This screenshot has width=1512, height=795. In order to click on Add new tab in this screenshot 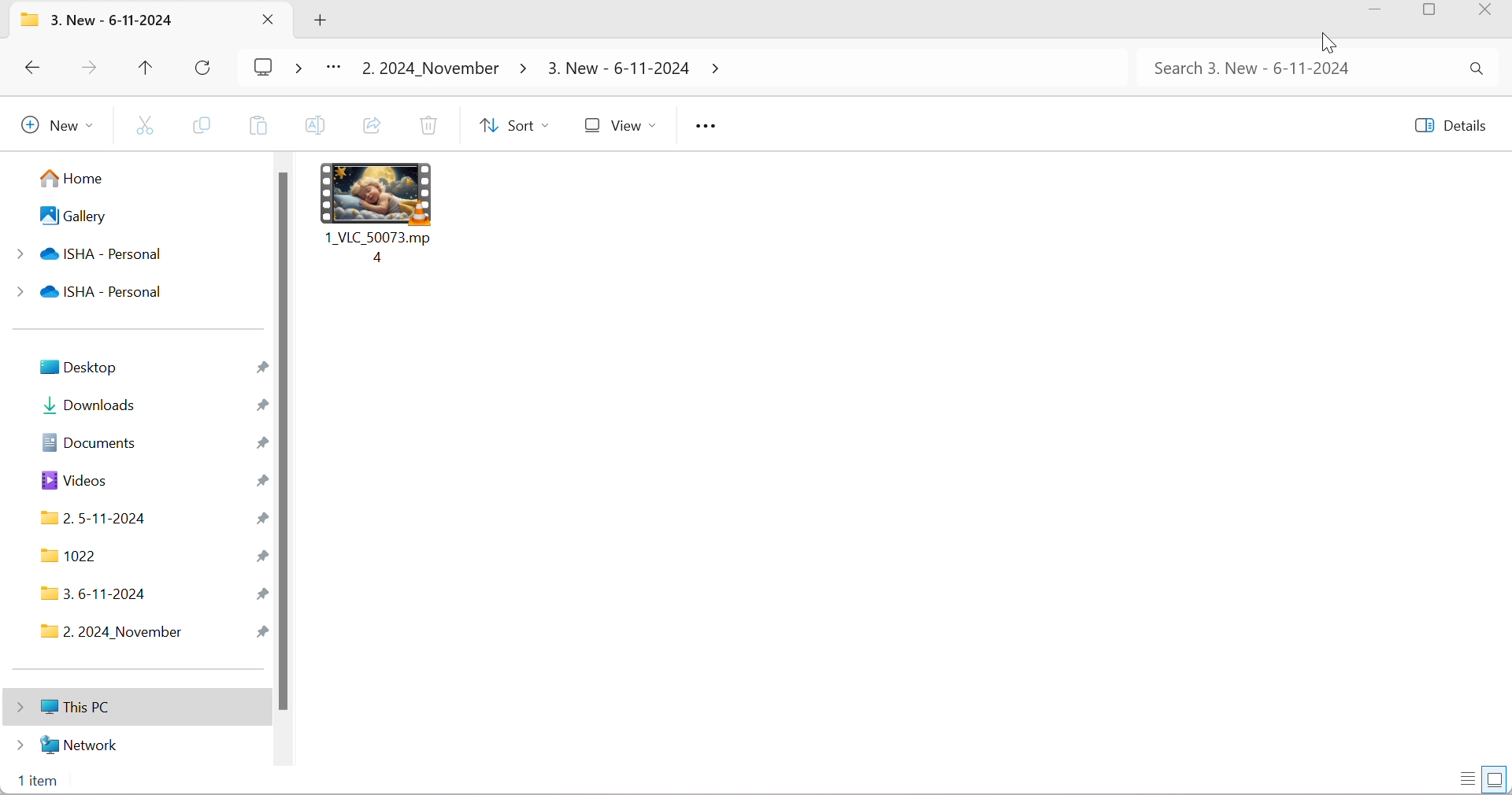, I will do `click(319, 22)`.